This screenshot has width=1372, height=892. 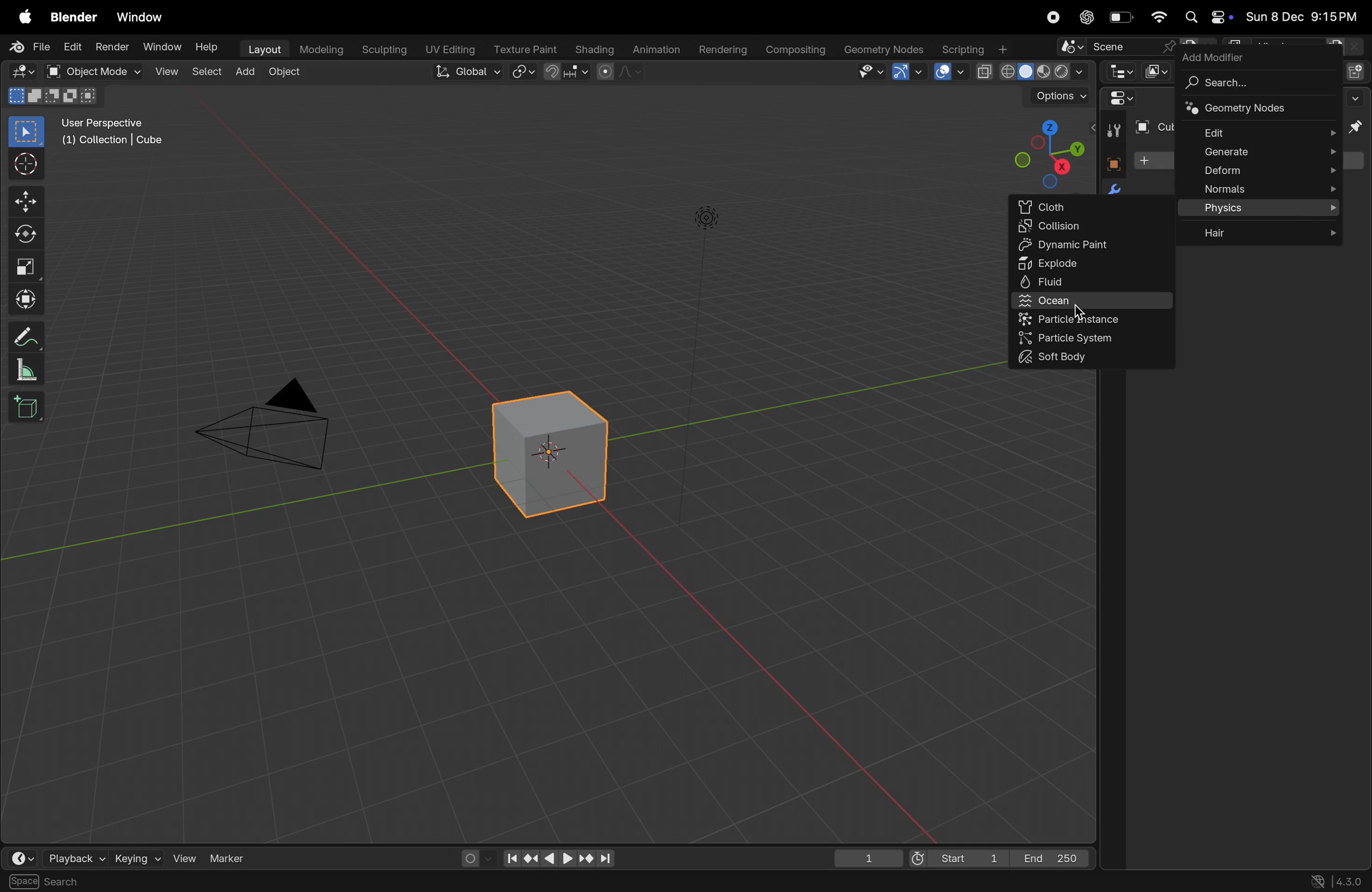 What do you see at coordinates (869, 858) in the screenshot?
I see `1` at bounding box center [869, 858].